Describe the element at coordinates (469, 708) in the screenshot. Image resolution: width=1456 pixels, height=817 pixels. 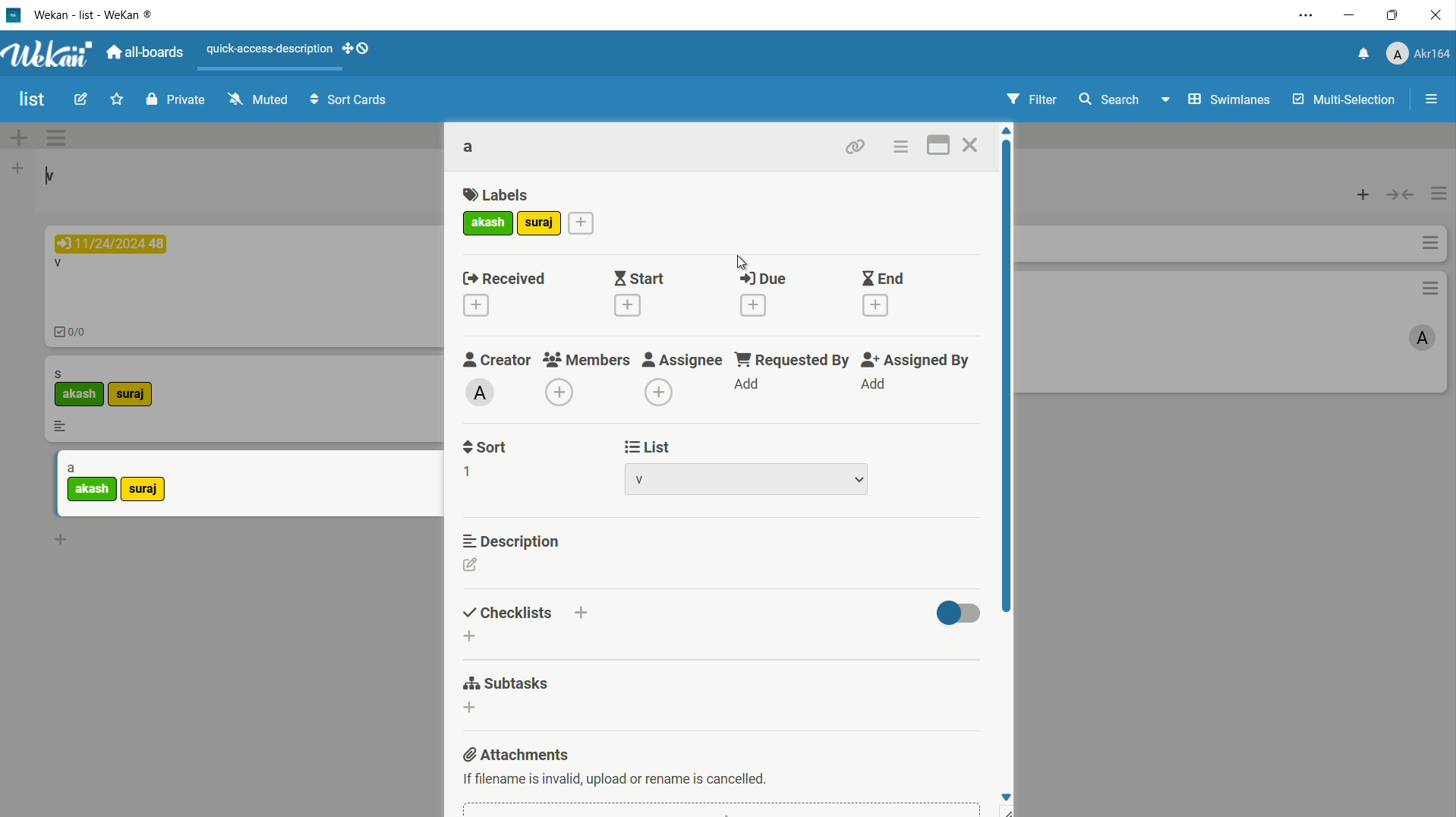
I see `dd subtasks` at that location.